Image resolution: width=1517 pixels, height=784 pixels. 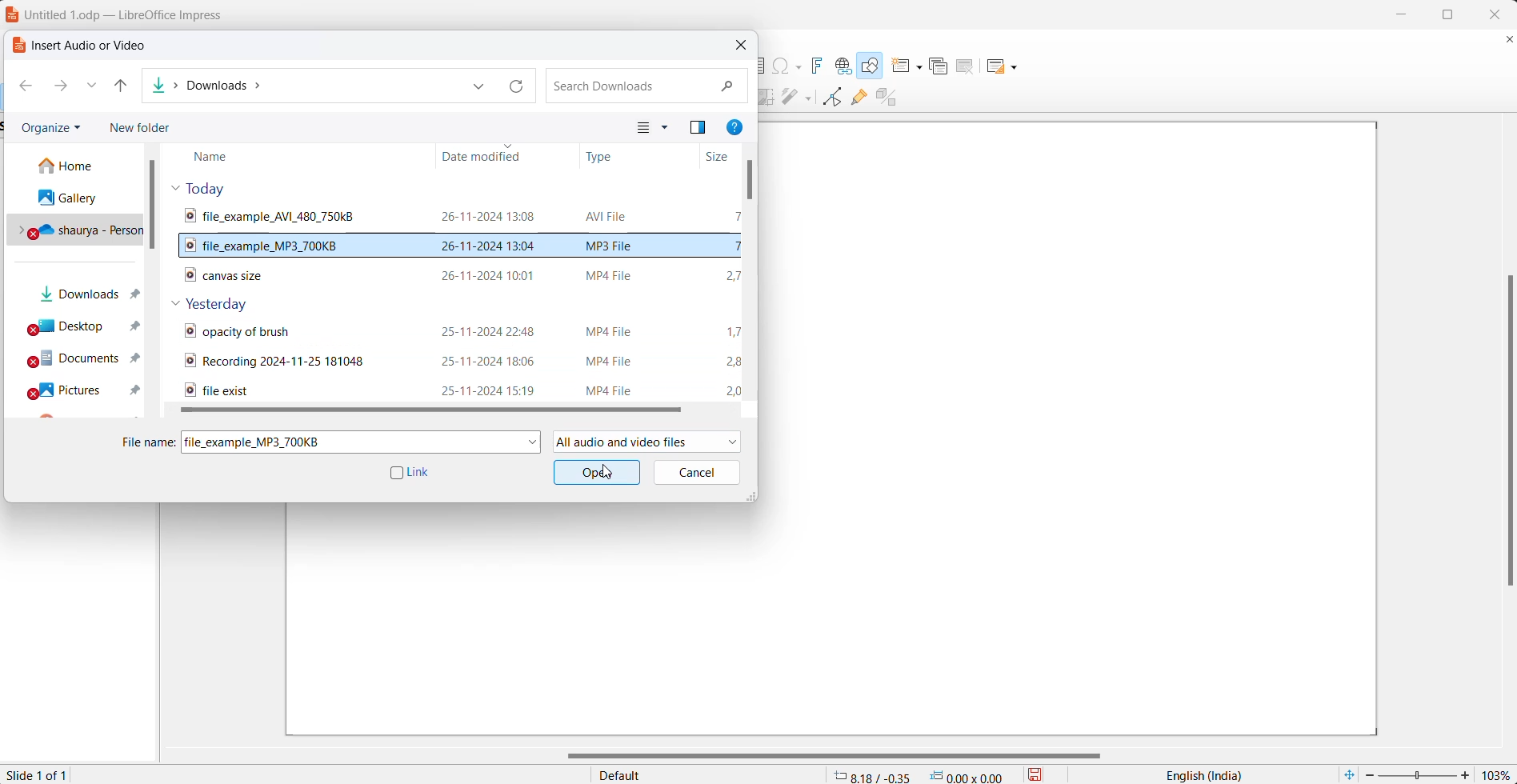 What do you see at coordinates (342, 442) in the screenshot?
I see `selected file name` at bounding box center [342, 442].